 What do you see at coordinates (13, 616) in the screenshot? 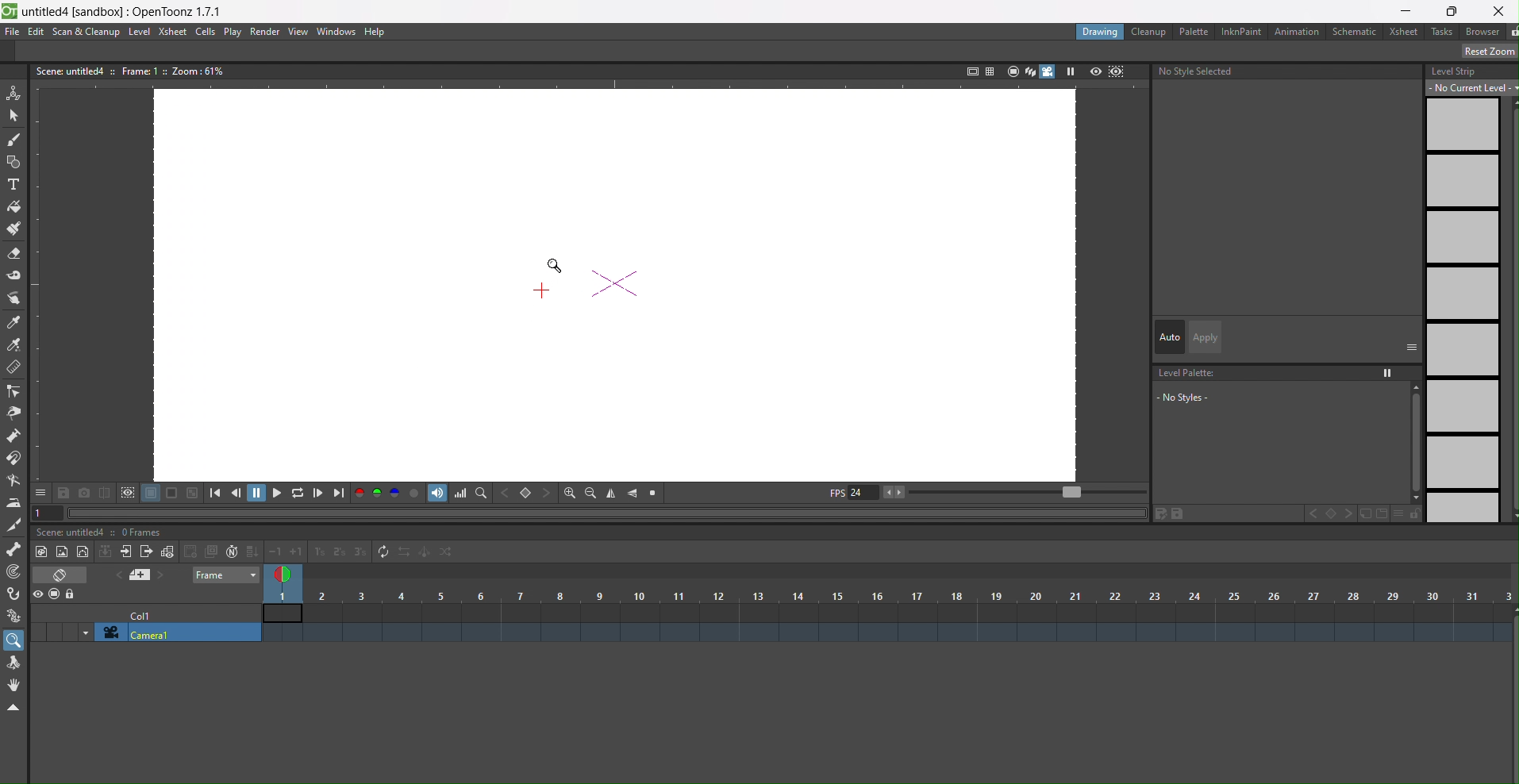
I see `` at bounding box center [13, 616].